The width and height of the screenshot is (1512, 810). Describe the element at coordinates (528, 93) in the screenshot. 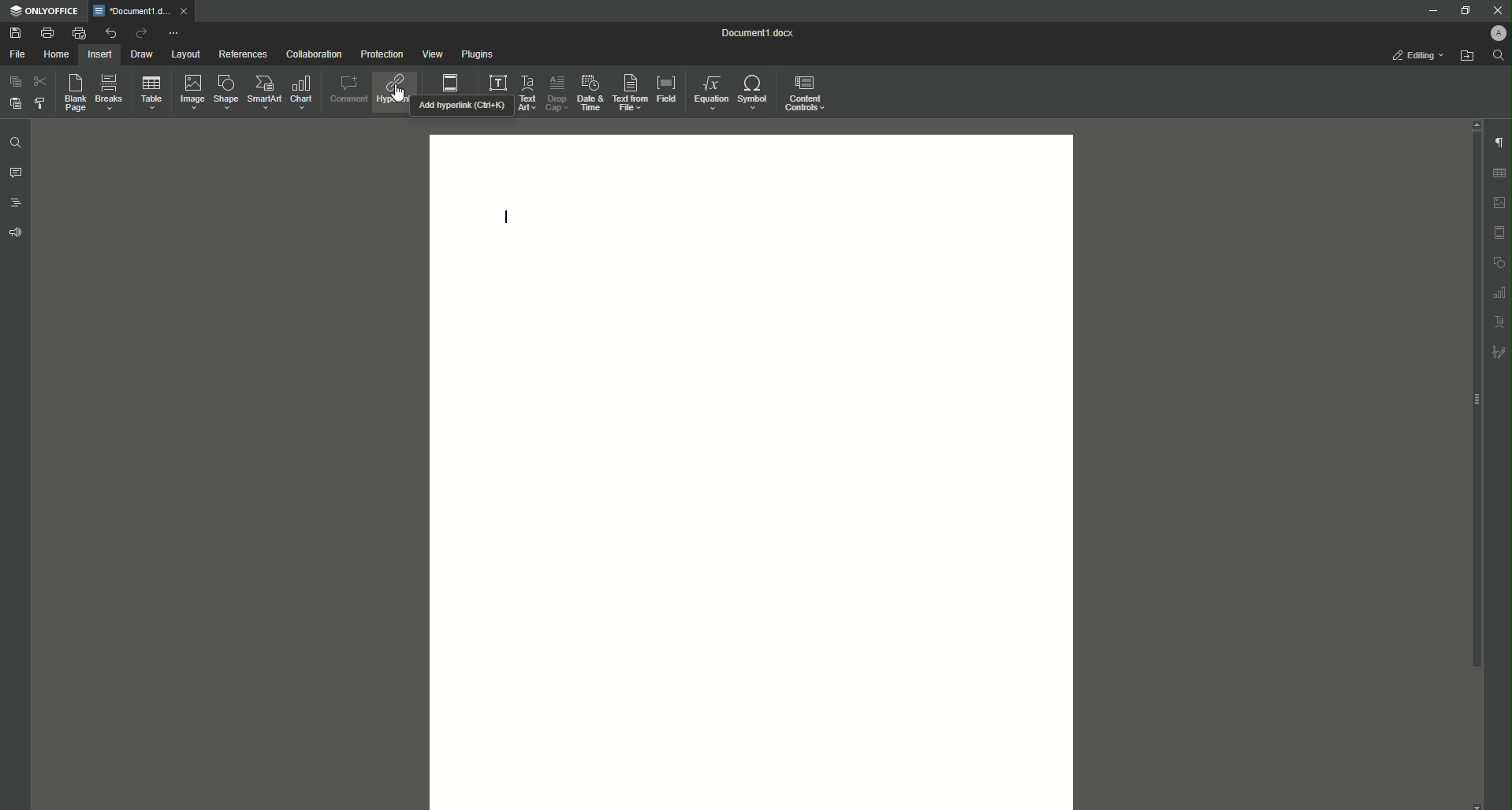

I see `Text Art` at that location.